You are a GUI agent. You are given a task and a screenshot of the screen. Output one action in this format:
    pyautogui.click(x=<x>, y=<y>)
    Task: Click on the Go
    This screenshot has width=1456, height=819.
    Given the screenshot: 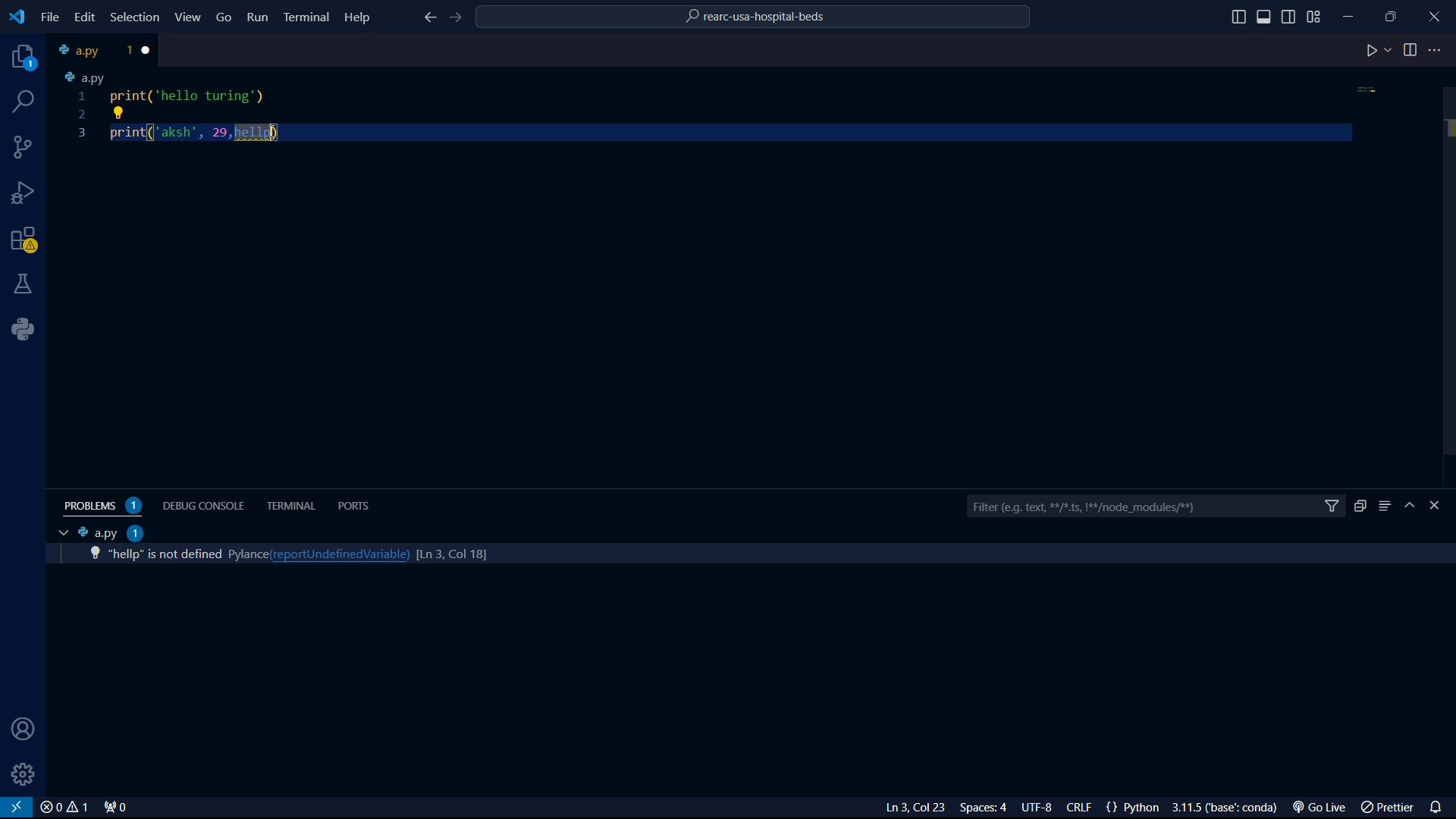 What is the action you would take?
    pyautogui.click(x=224, y=16)
    